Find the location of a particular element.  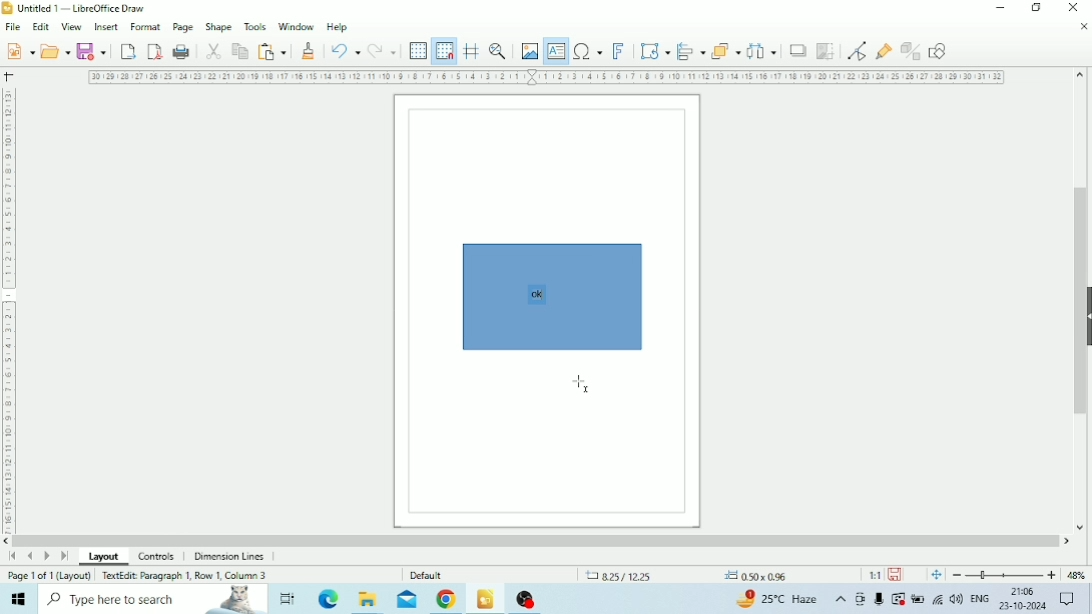

Mail is located at coordinates (405, 600).